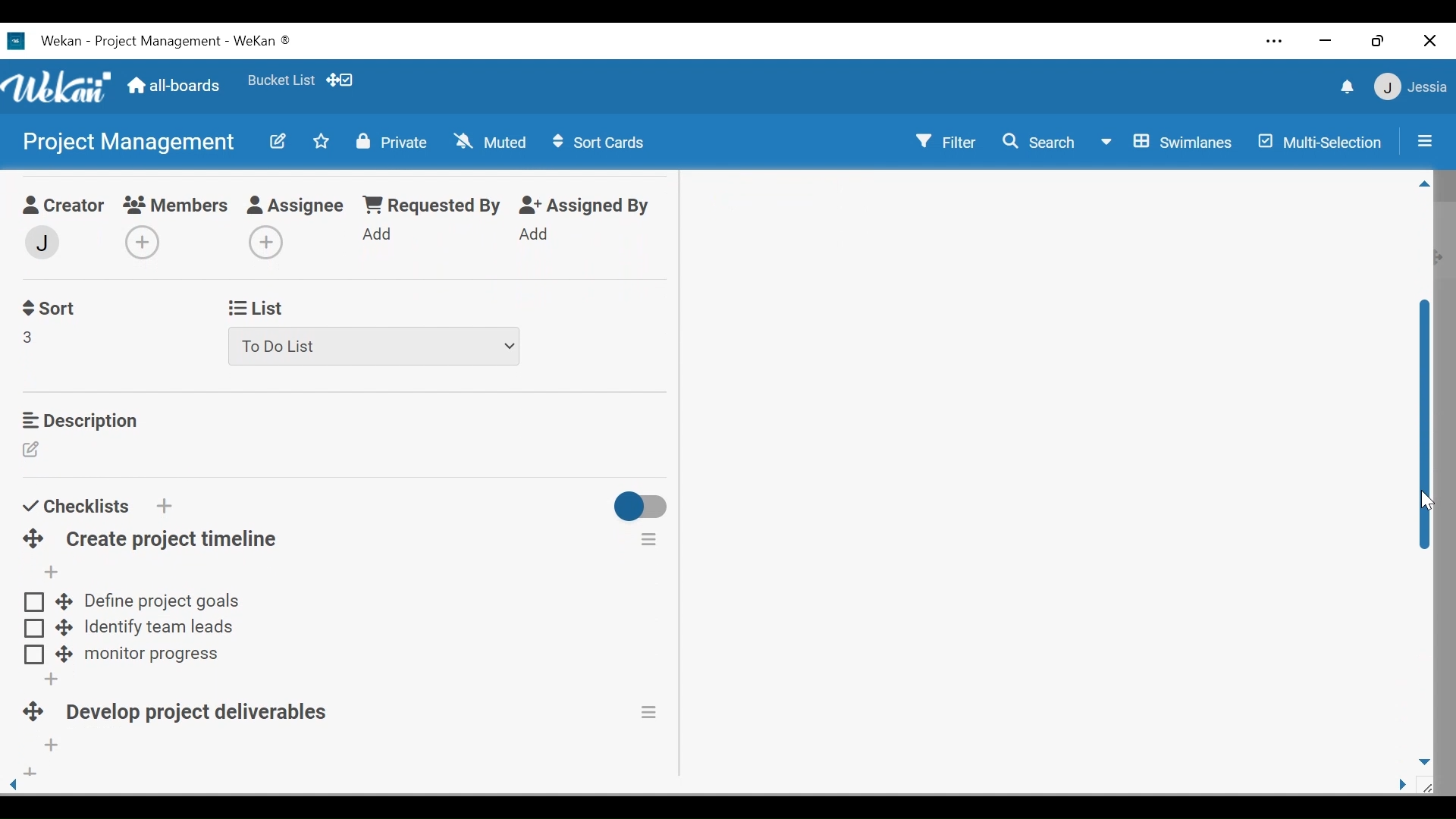  Describe the element at coordinates (585, 206) in the screenshot. I see `Assigned By` at that location.